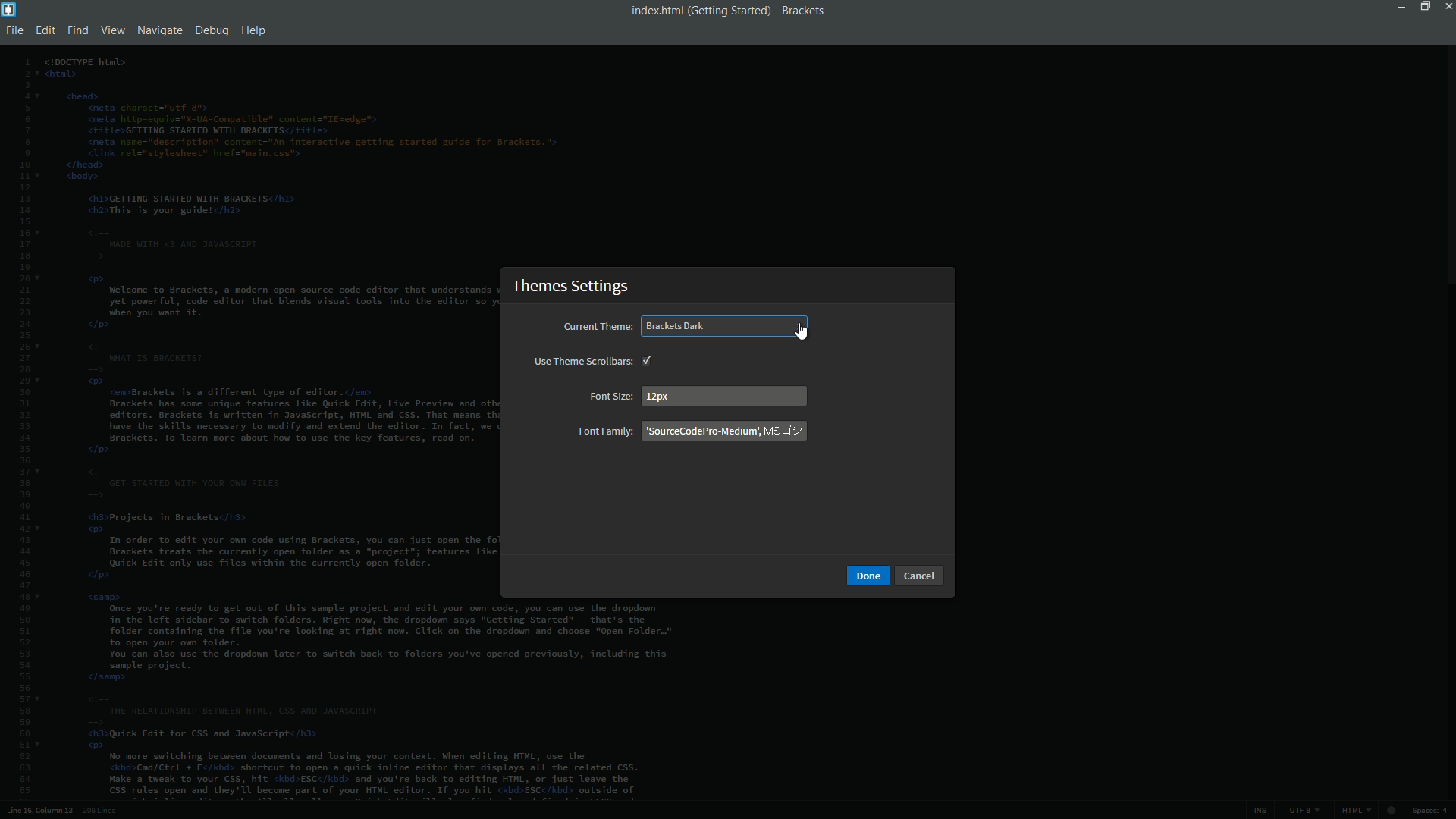  Describe the element at coordinates (1422, 6) in the screenshot. I see `maximize` at that location.